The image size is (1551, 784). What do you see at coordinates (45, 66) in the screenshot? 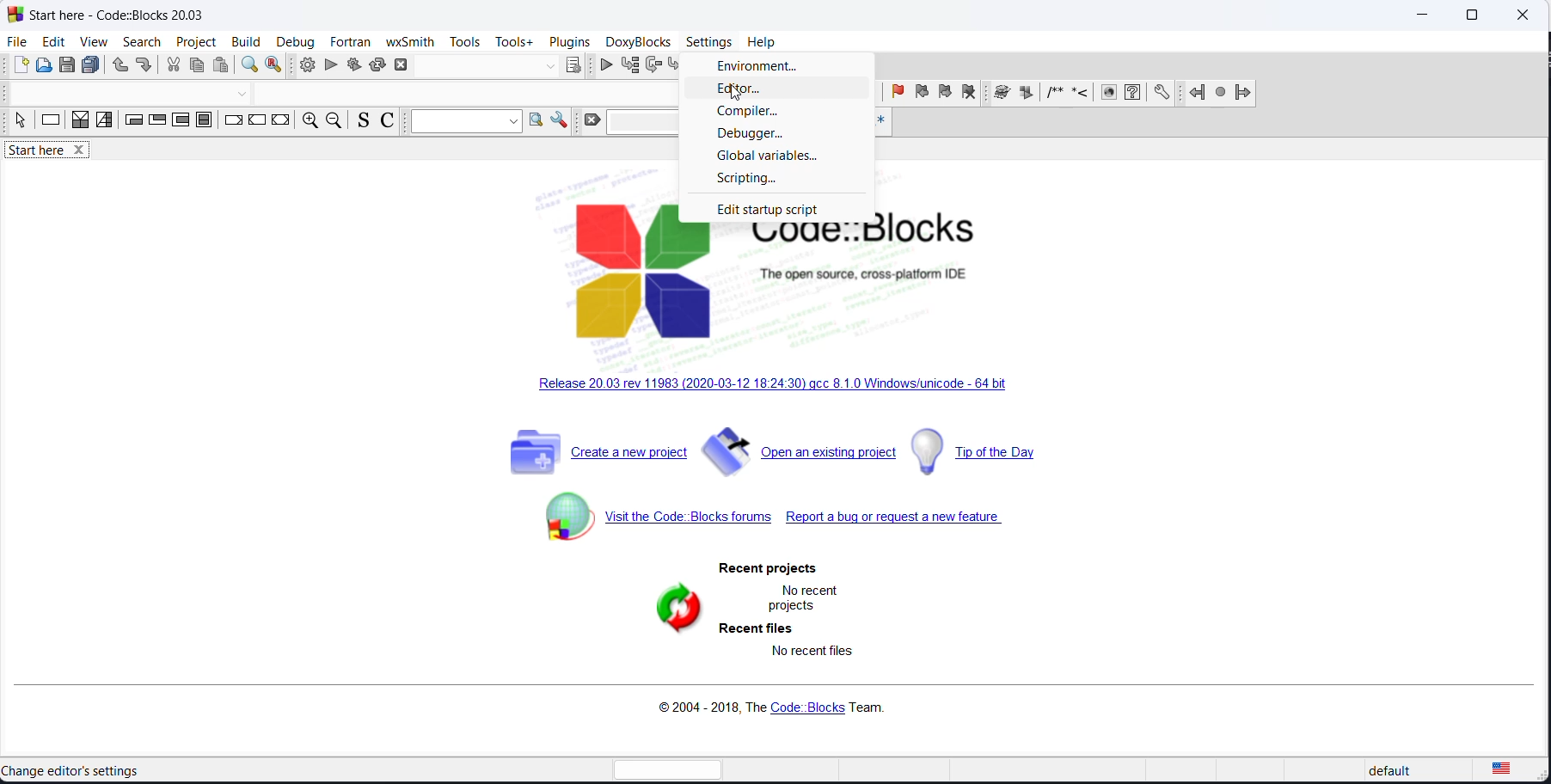
I see `open` at bounding box center [45, 66].